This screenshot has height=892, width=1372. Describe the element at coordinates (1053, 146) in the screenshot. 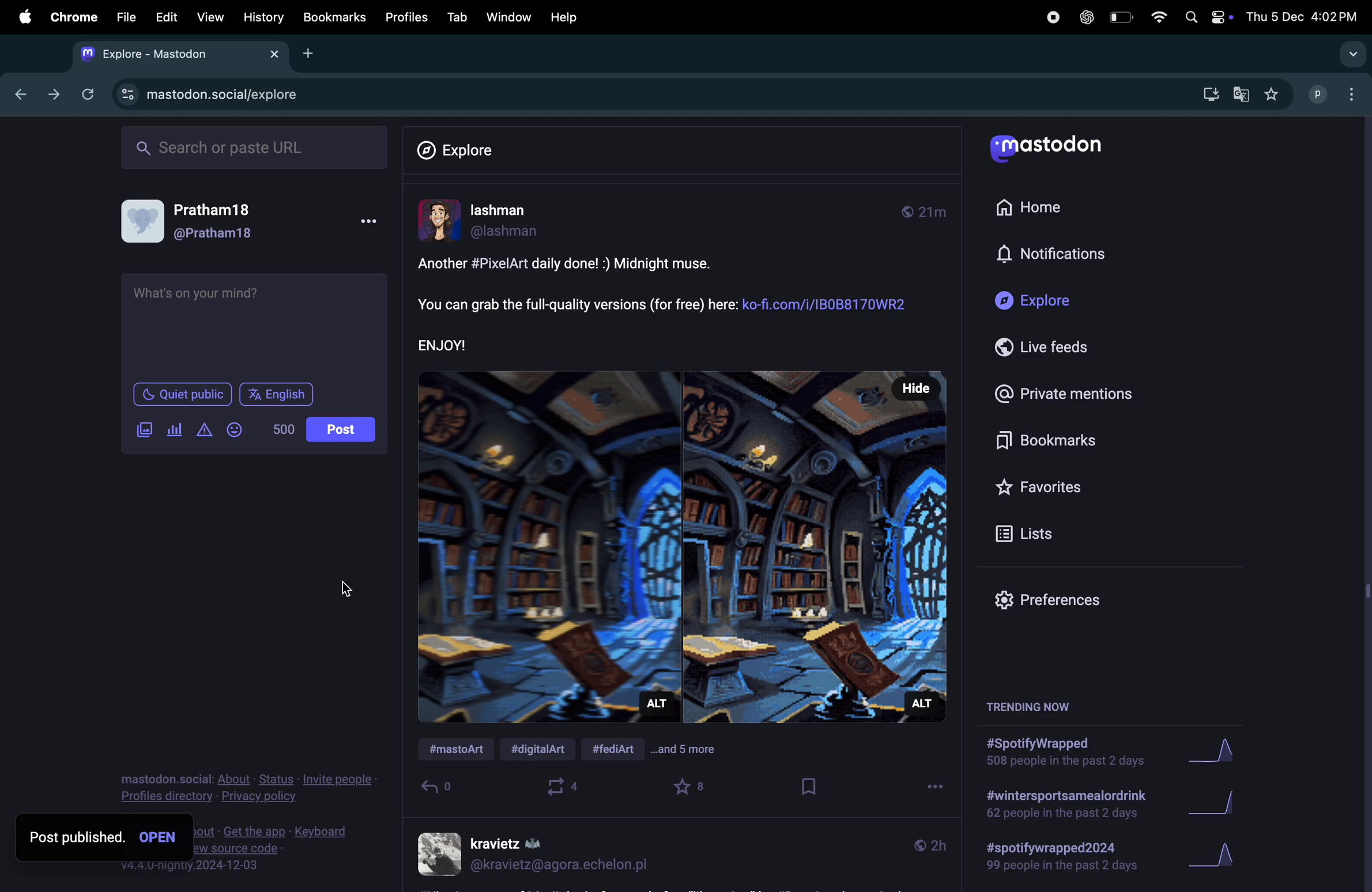

I see `Mastodon` at that location.